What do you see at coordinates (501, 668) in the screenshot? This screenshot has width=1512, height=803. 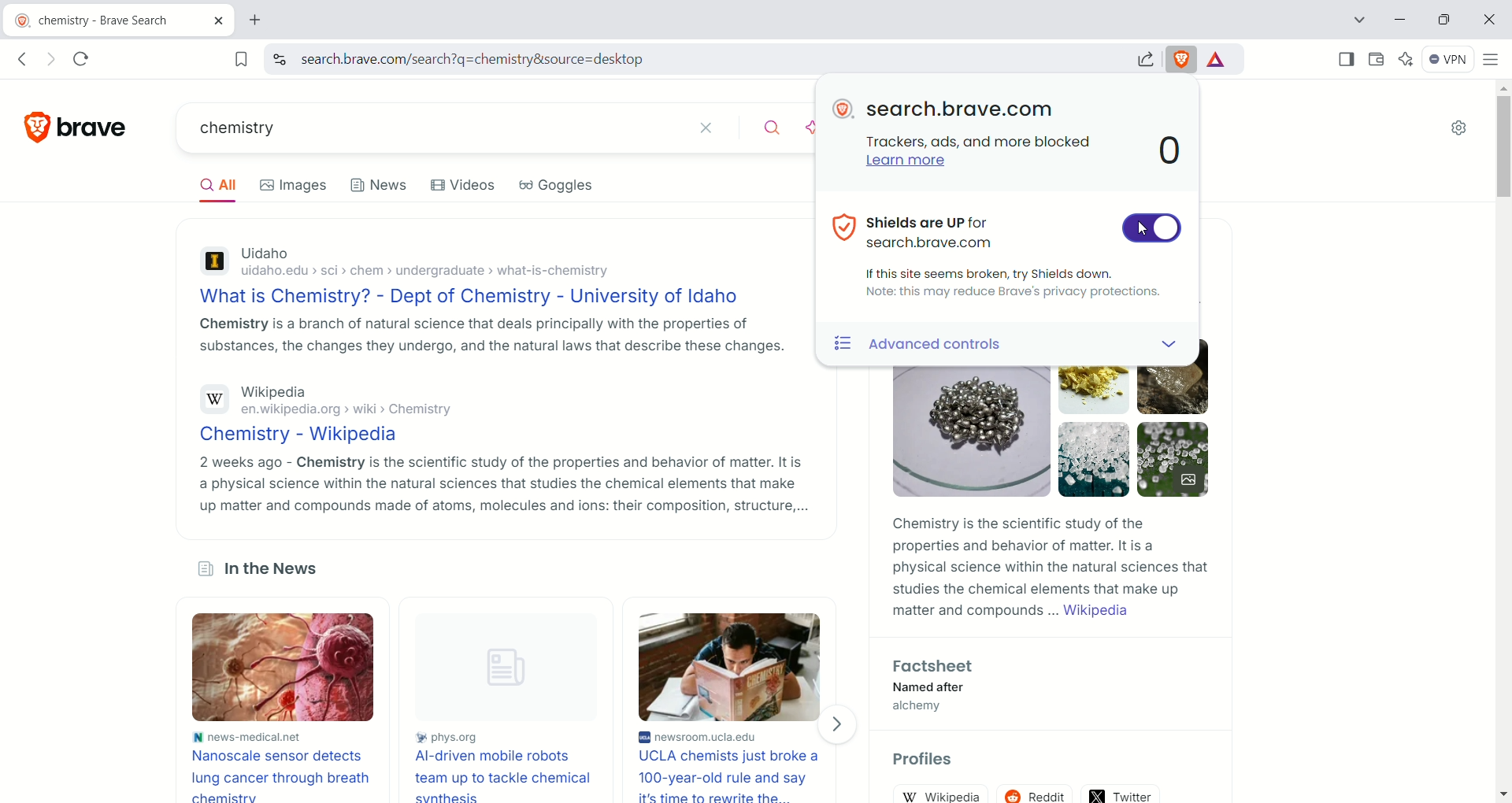 I see `blank thumbnail` at bounding box center [501, 668].